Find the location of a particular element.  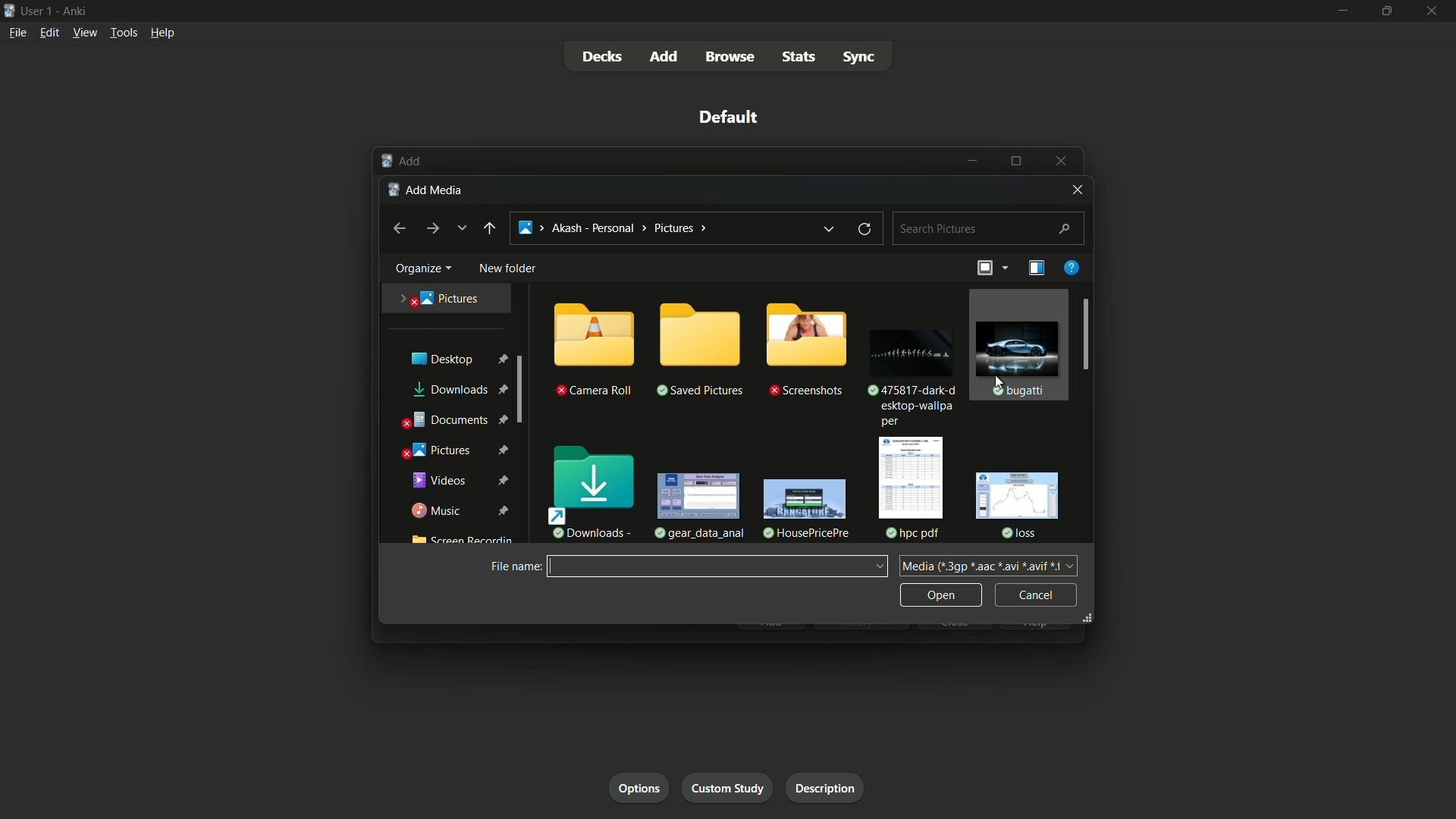

scroll bar is located at coordinates (518, 389).